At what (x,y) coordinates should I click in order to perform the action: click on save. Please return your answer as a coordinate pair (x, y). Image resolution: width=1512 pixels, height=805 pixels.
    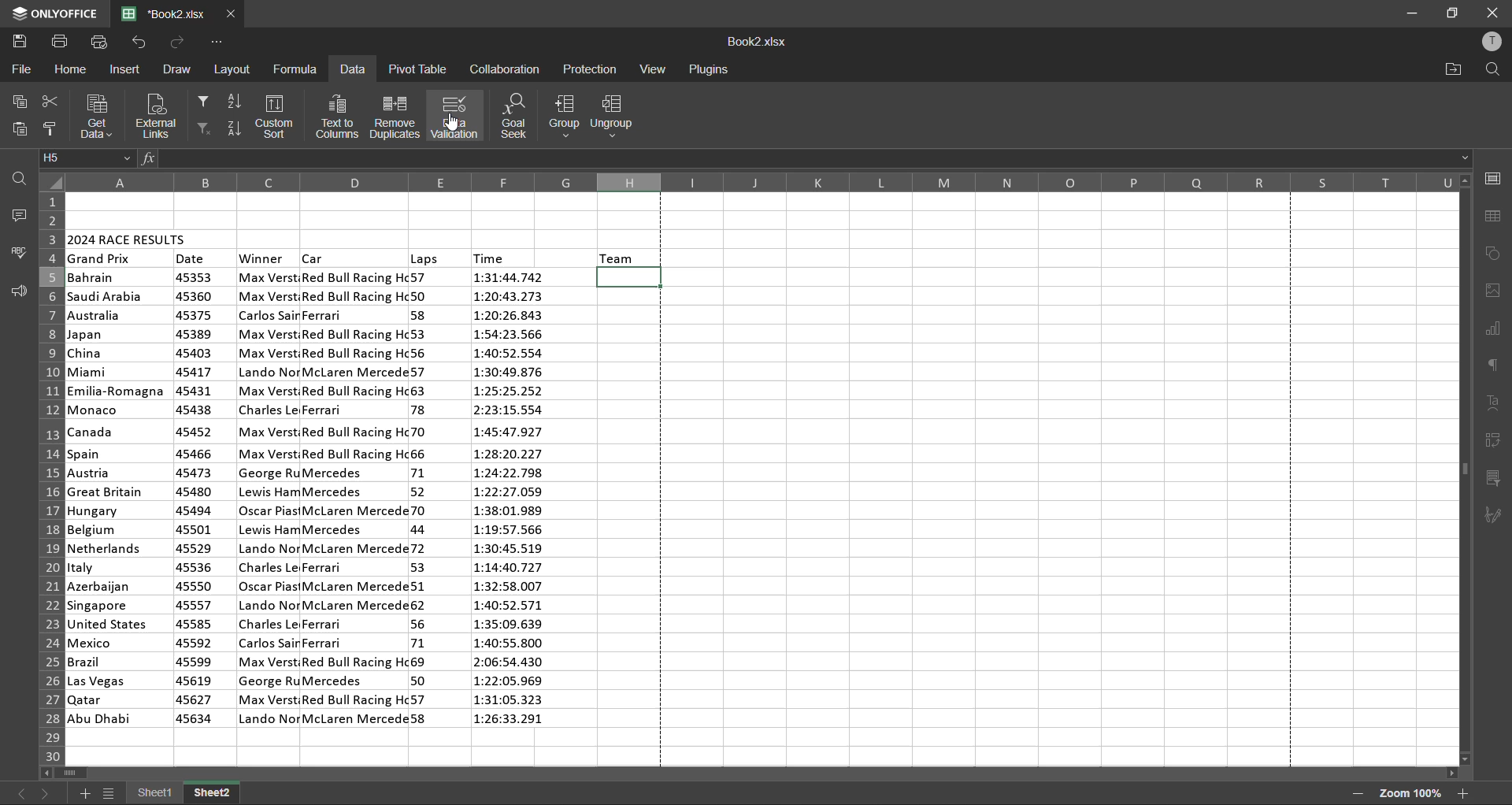
    Looking at the image, I should click on (24, 42).